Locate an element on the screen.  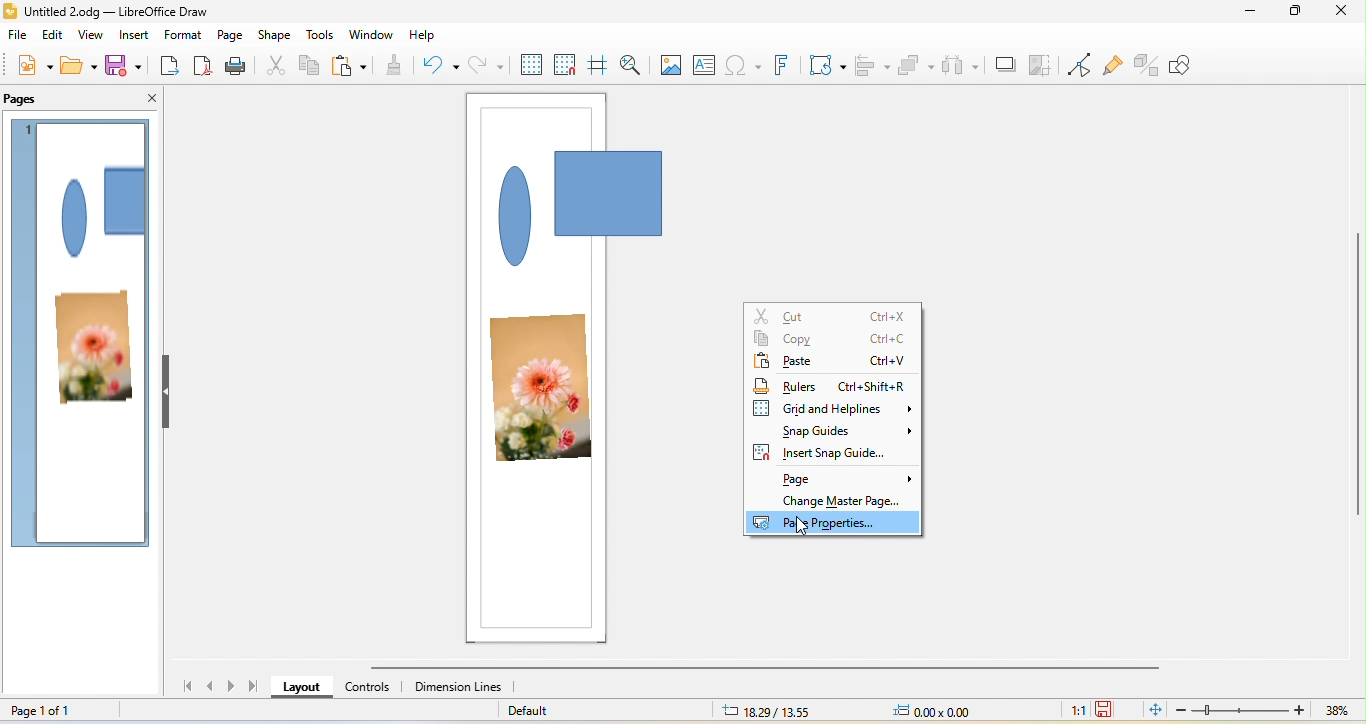
file is located at coordinates (18, 38).